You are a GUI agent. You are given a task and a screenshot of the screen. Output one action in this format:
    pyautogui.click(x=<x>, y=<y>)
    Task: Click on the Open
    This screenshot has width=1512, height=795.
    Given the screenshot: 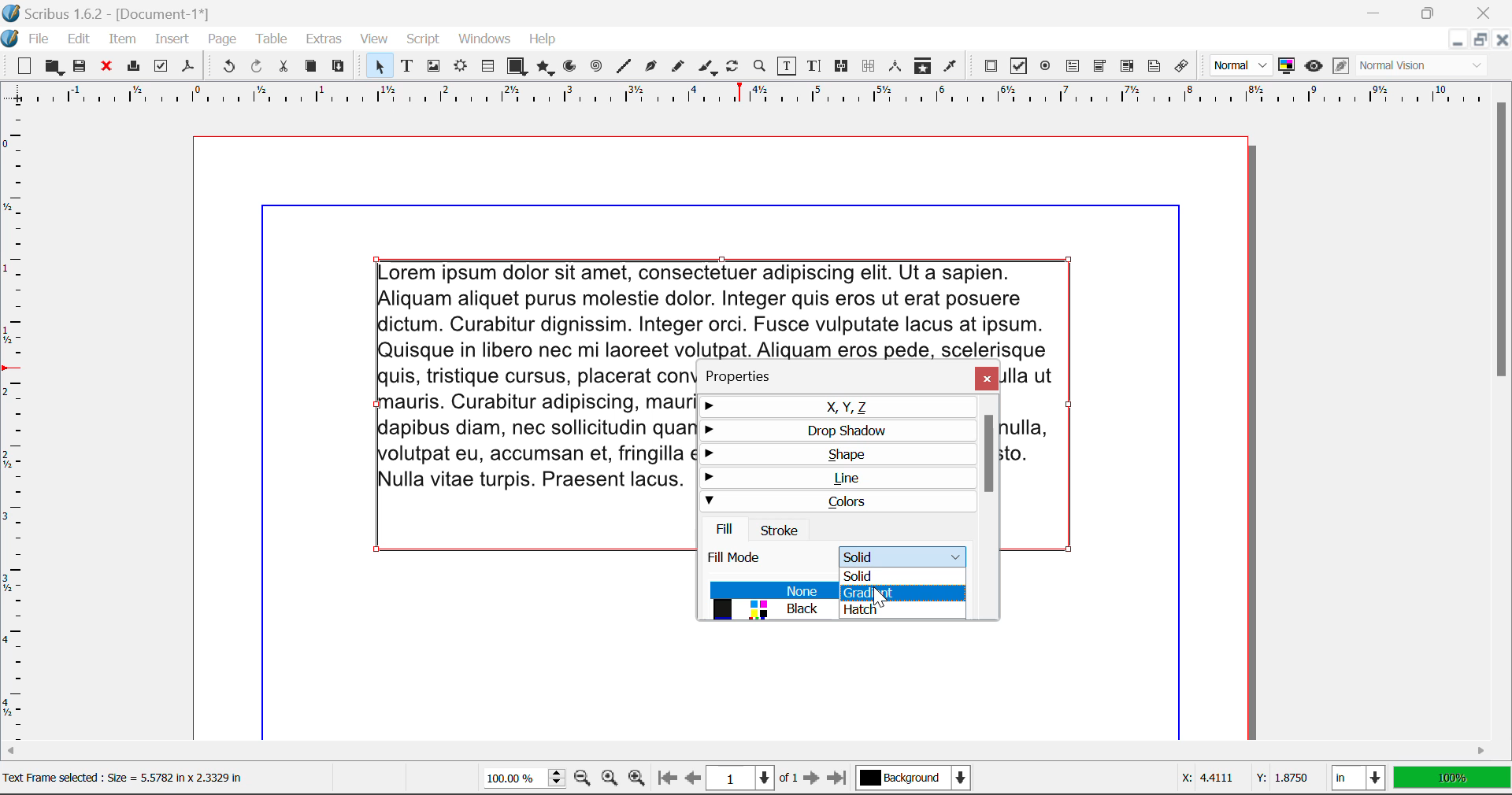 What is the action you would take?
    pyautogui.click(x=55, y=67)
    